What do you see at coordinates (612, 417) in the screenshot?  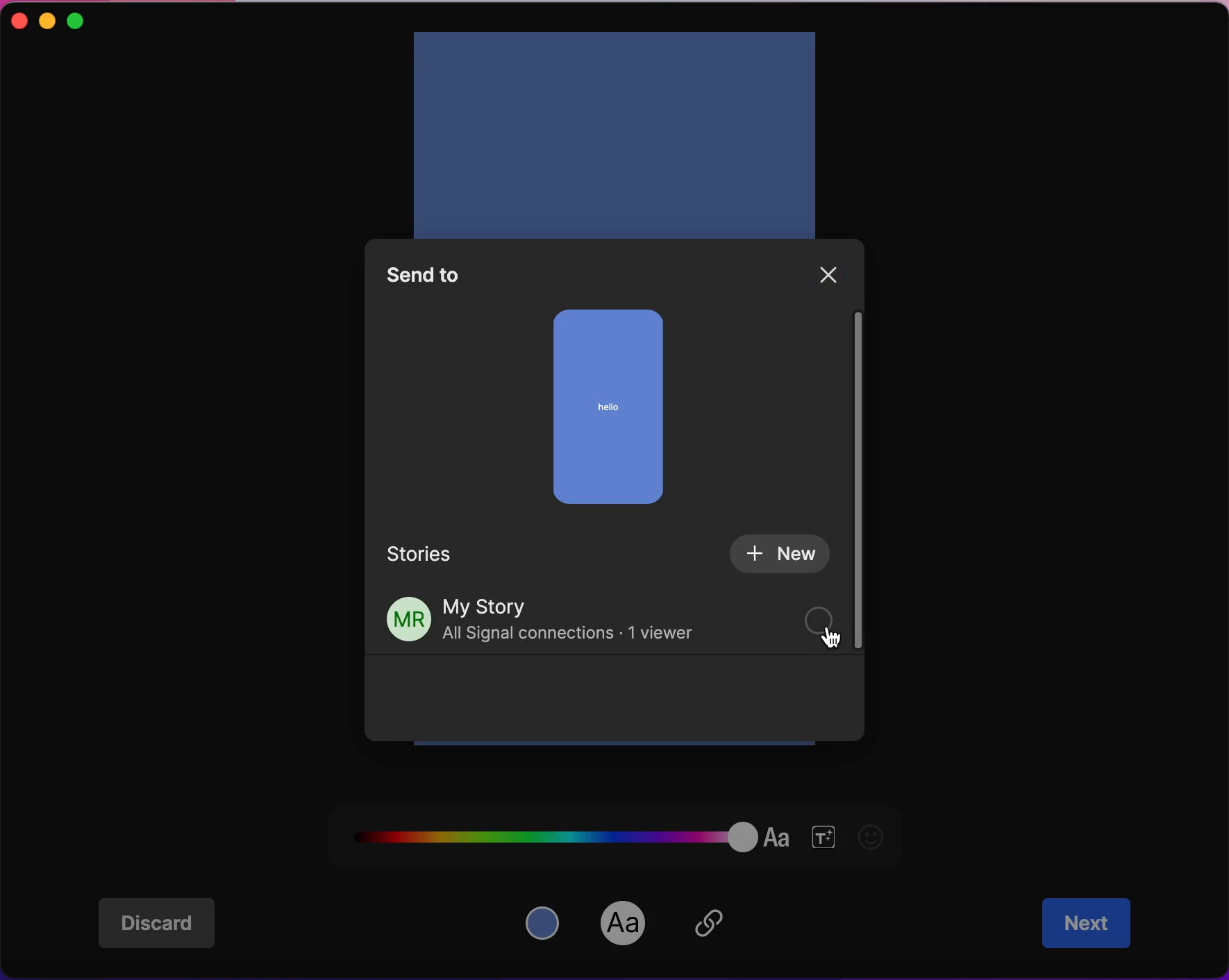 I see `story` at bounding box center [612, 417].